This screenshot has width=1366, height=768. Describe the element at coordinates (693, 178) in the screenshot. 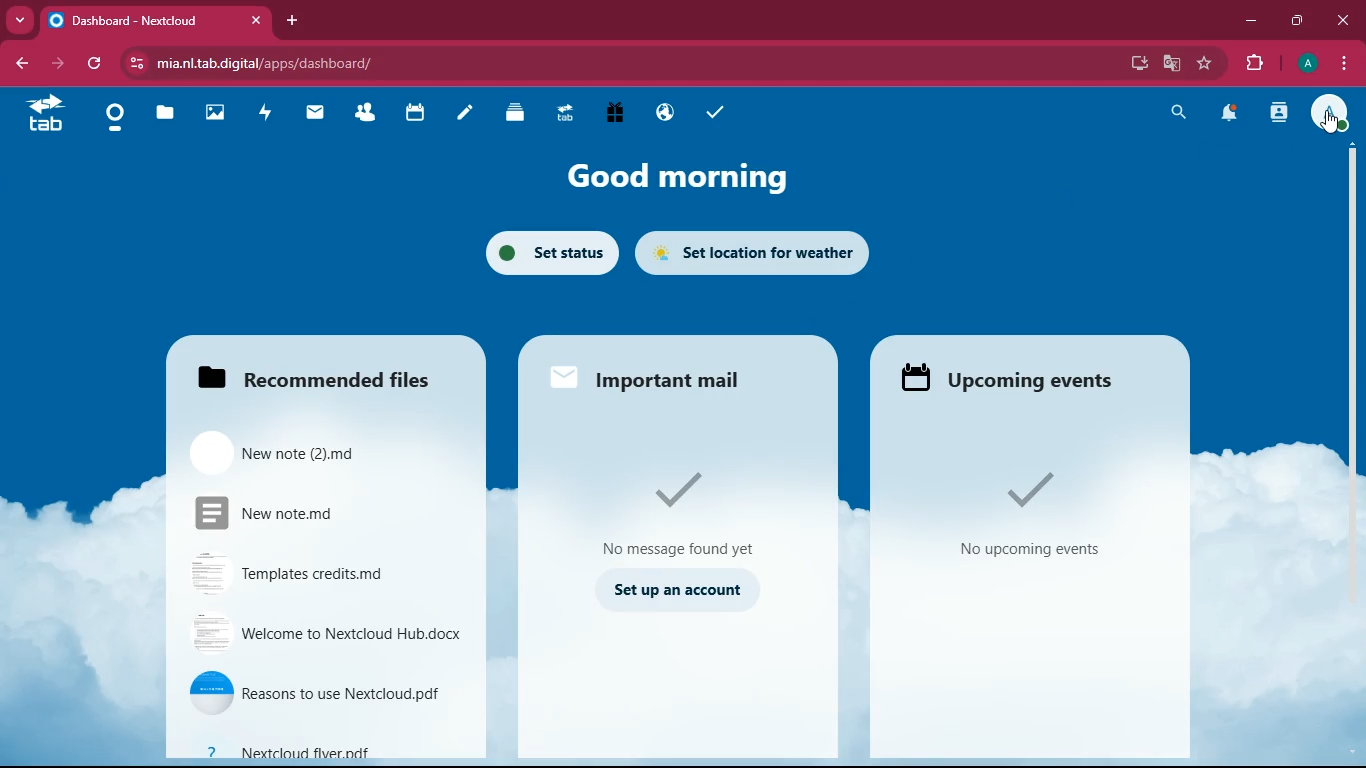

I see `good morning` at that location.